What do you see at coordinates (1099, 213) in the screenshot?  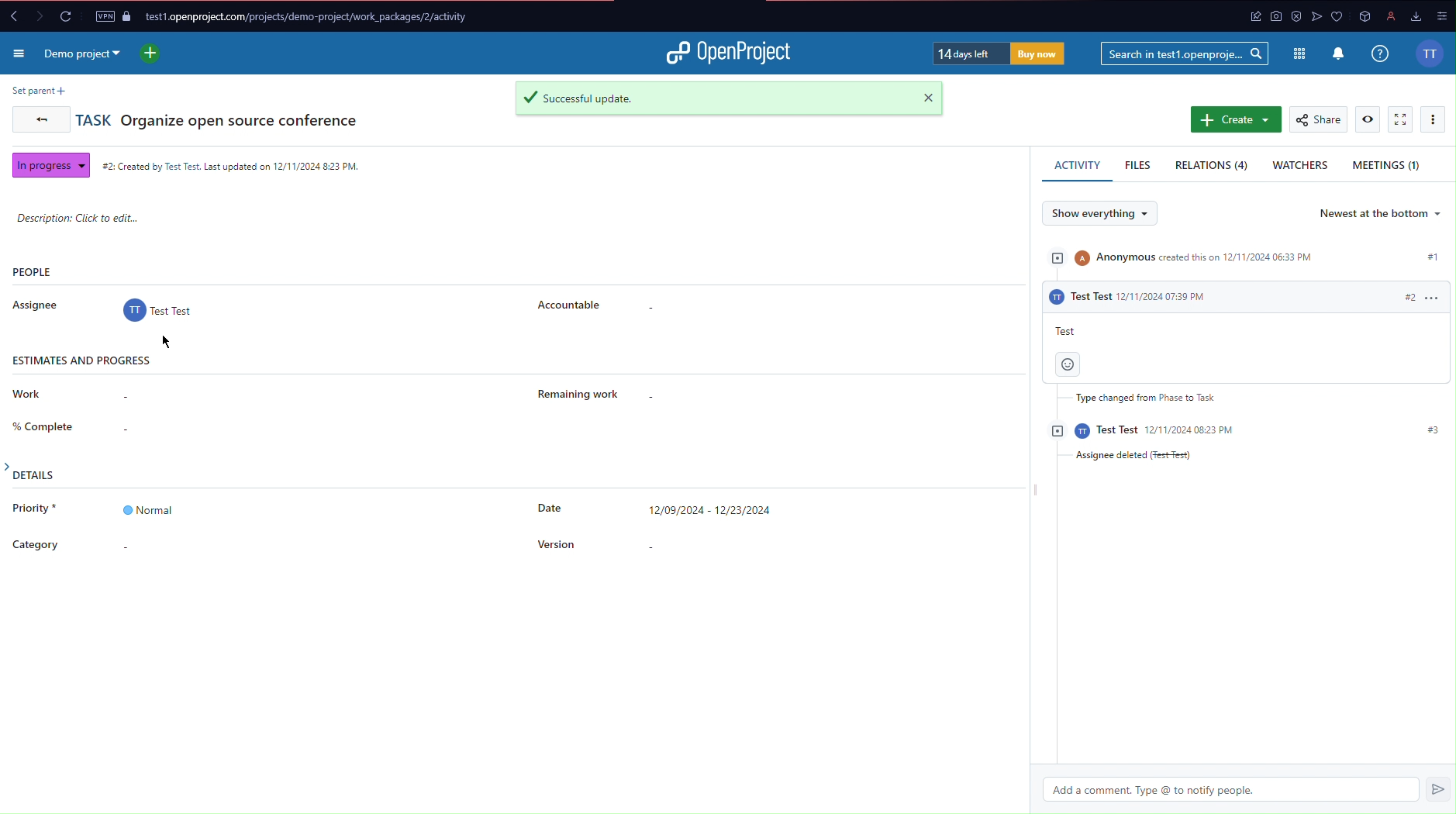 I see `Show everything` at bounding box center [1099, 213].